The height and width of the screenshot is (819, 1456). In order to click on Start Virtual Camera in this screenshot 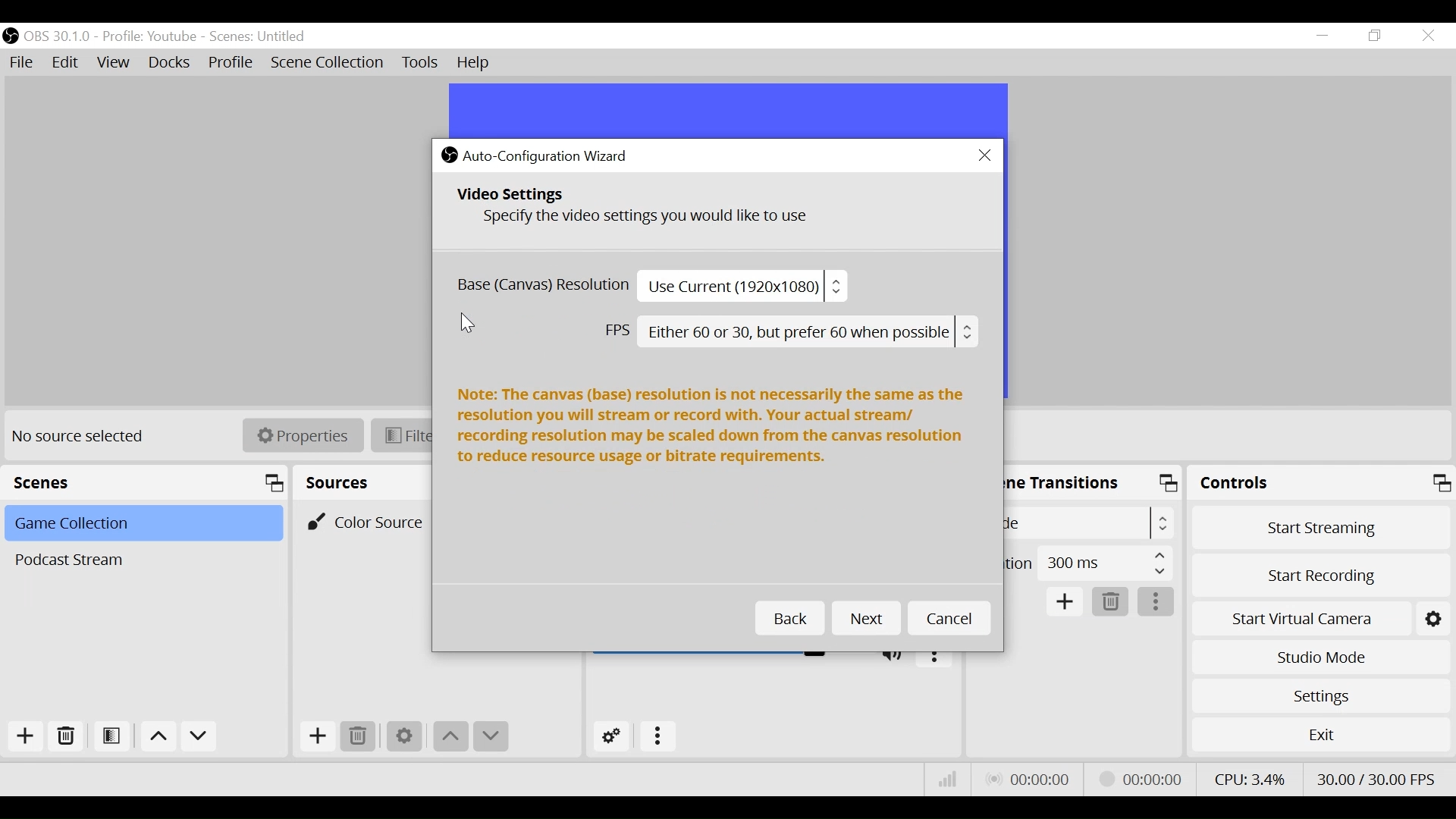, I will do `click(1300, 617)`.